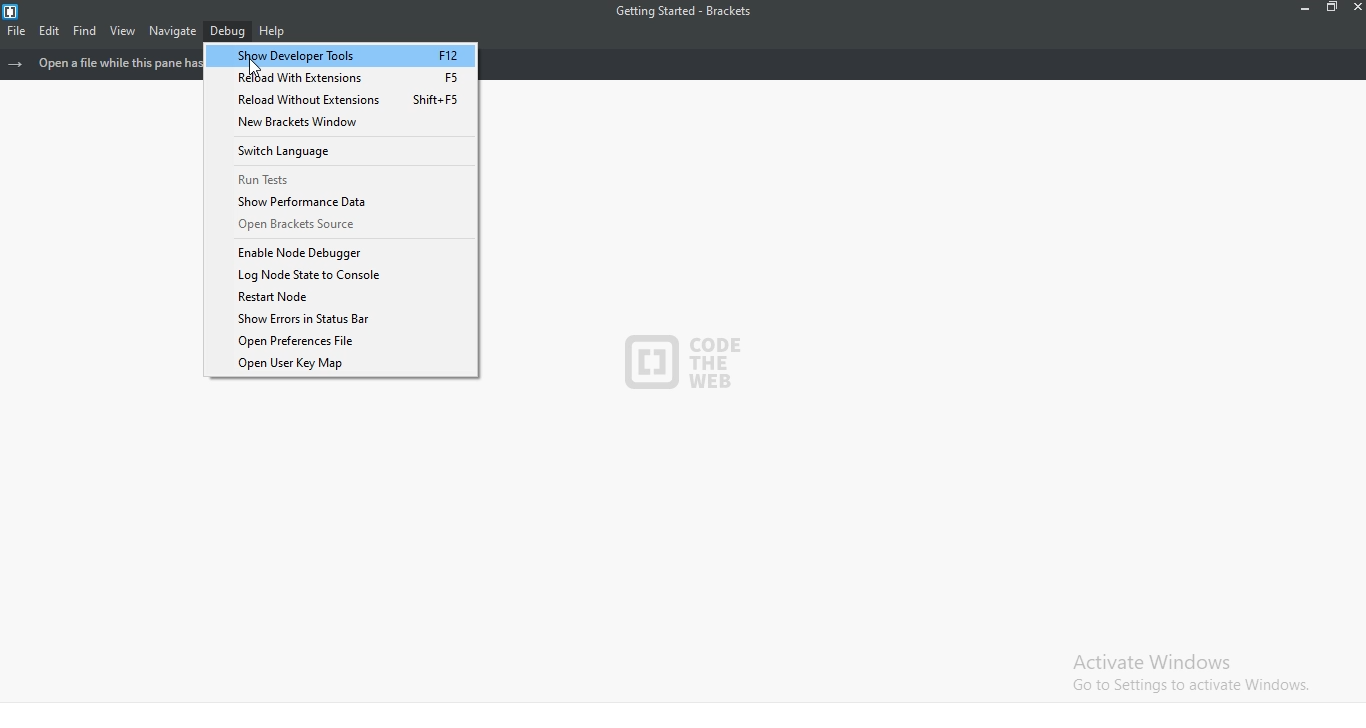 The width and height of the screenshot is (1366, 728). What do you see at coordinates (14, 30) in the screenshot?
I see `file` at bounding box center [14, 30].